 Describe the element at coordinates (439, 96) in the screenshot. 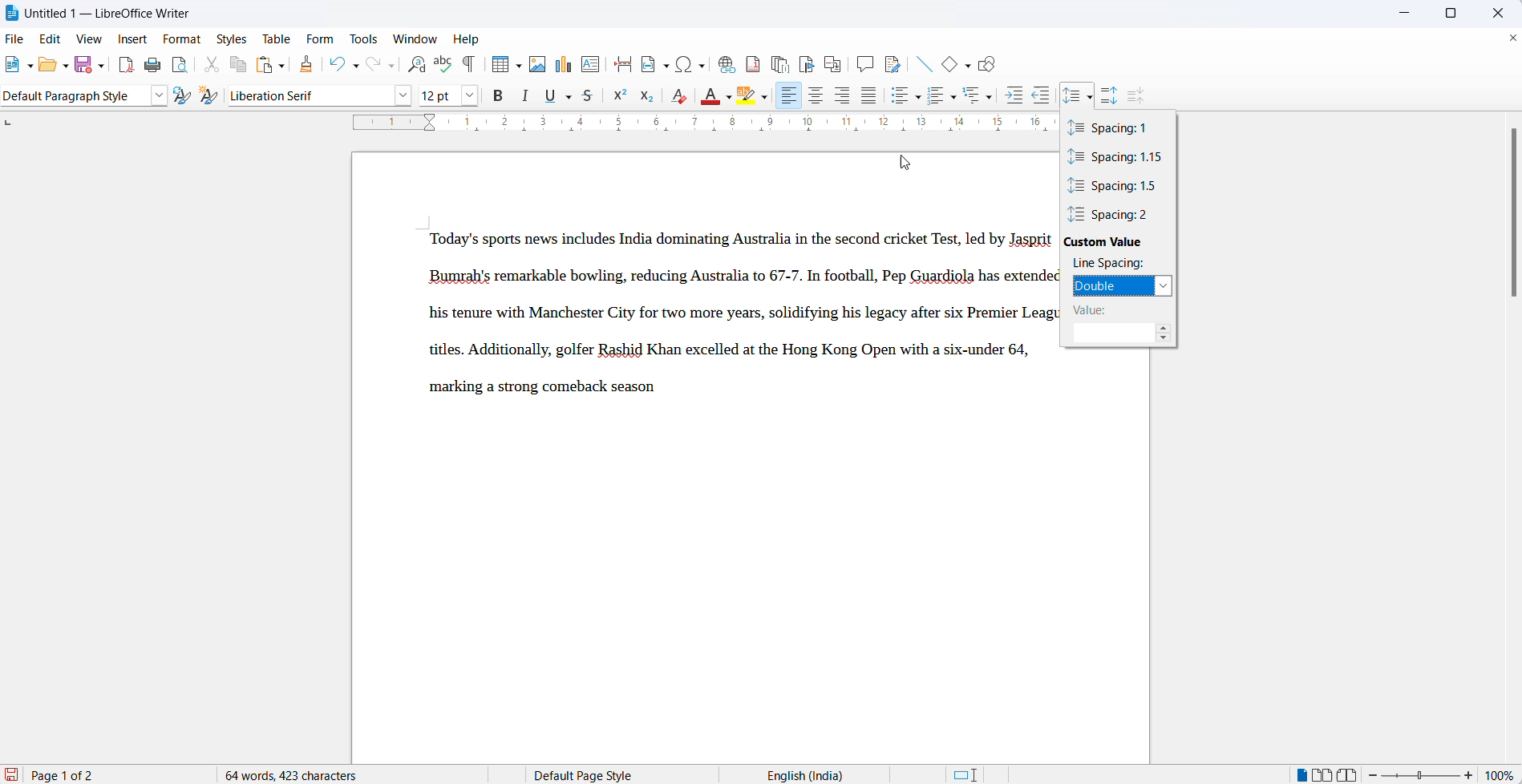

I see `font size` at that location.